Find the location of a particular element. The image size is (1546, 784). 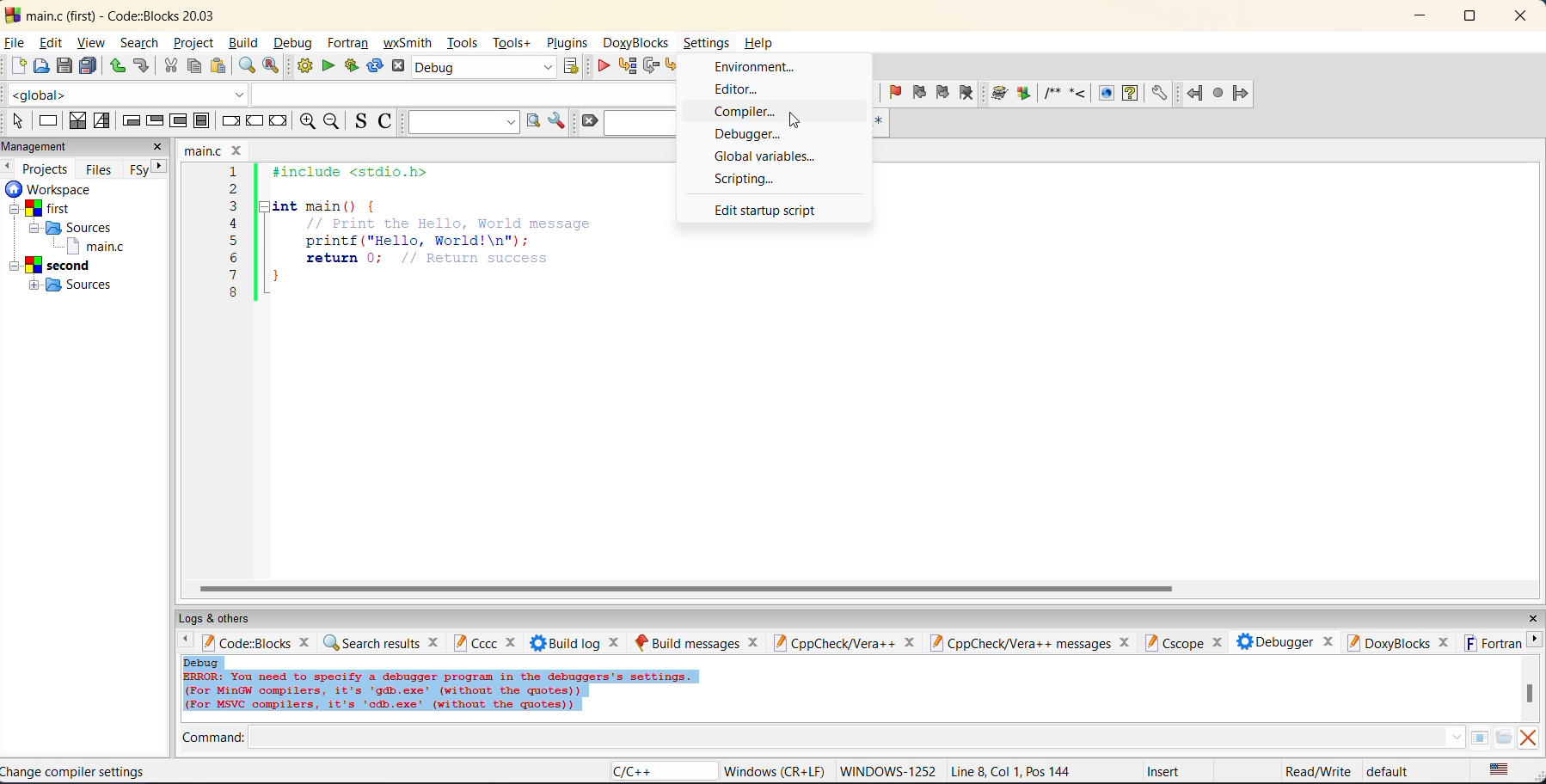

Insert is located at coordinates (1162, 770).